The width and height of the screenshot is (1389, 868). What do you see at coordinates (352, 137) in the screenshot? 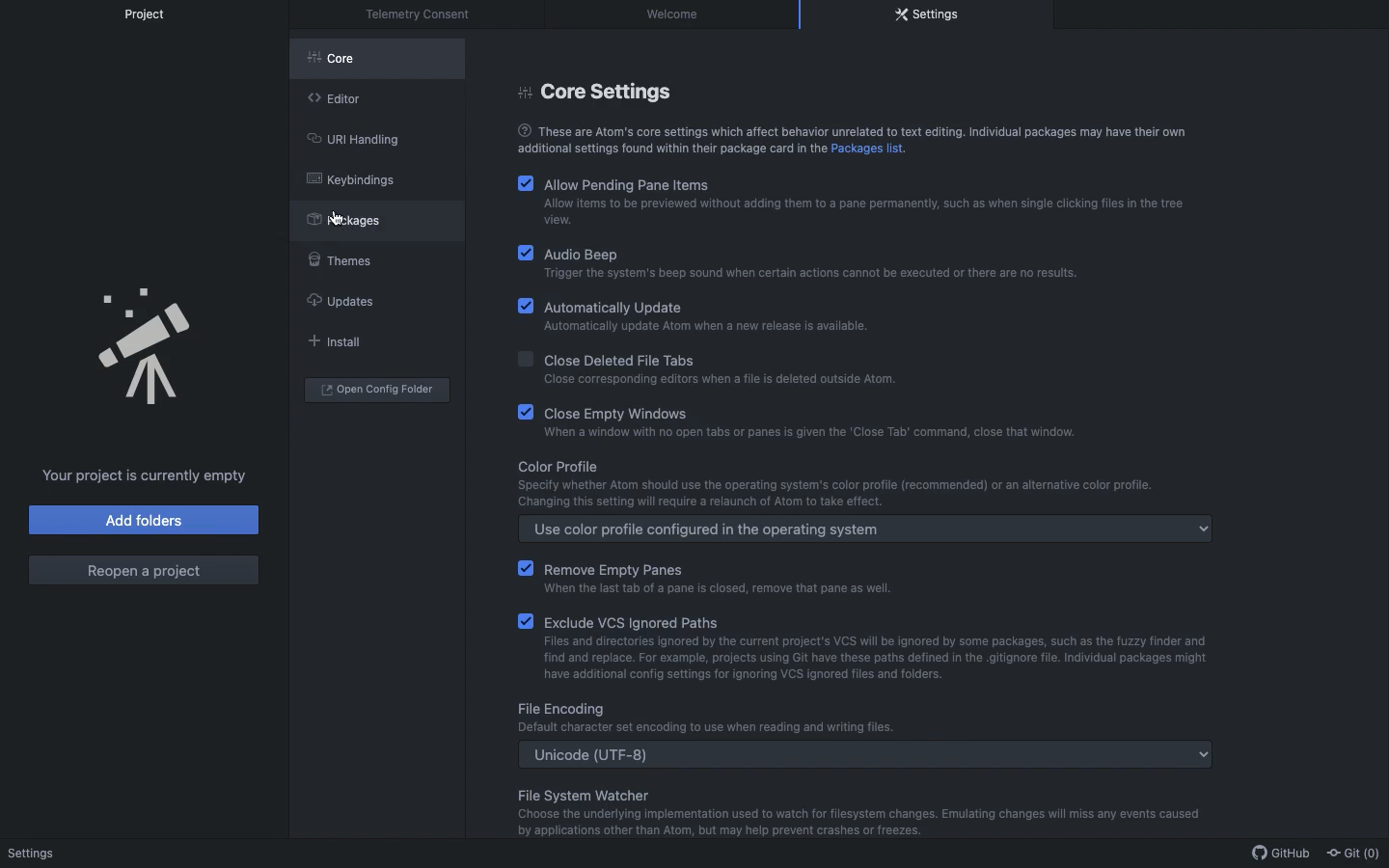
I see `URL handling` at bounding box center [352, 137].